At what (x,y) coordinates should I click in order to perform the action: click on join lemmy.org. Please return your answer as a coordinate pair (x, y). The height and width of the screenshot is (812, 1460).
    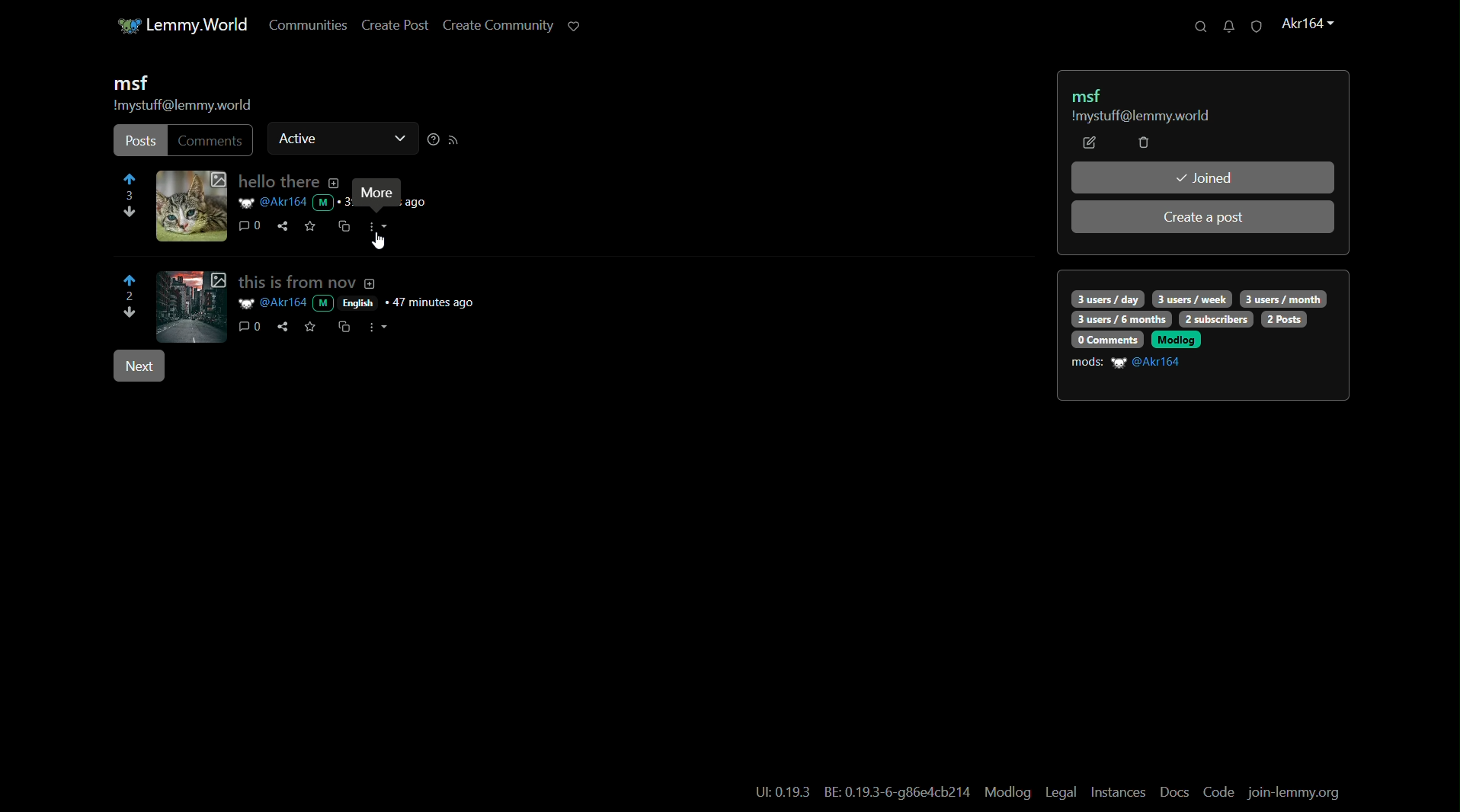
    Looking at the image, I should click on (1295, 794).